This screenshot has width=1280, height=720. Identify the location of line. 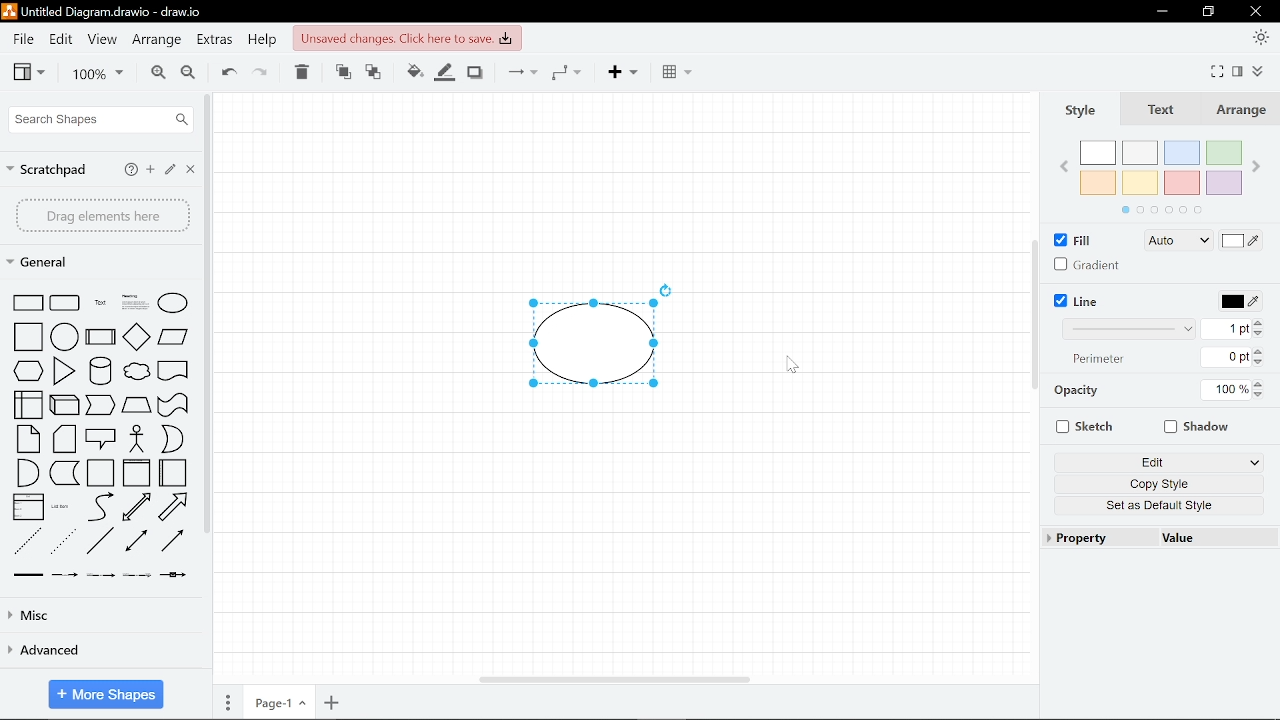
(98, 542).